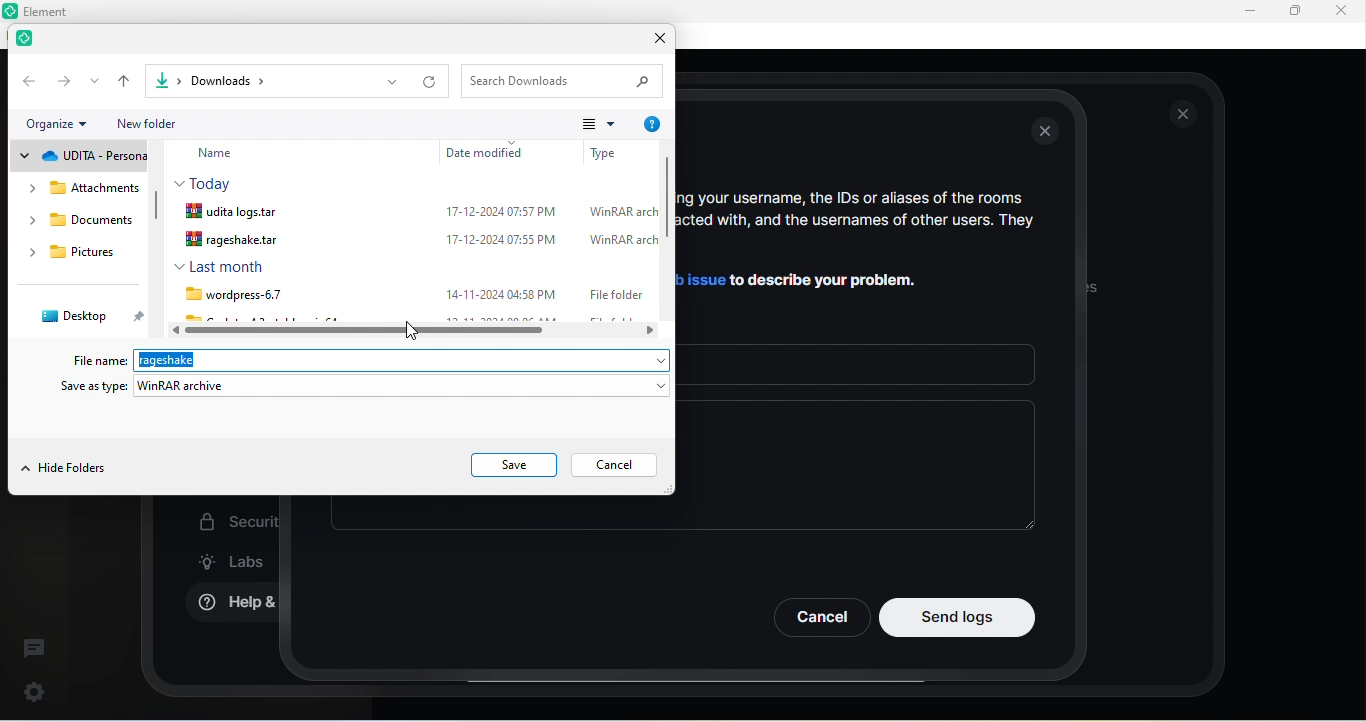 The width and height of the screenshot is (1366, 722). I want to click on 14-11-2024 04:58 PM, so click(502, 293).